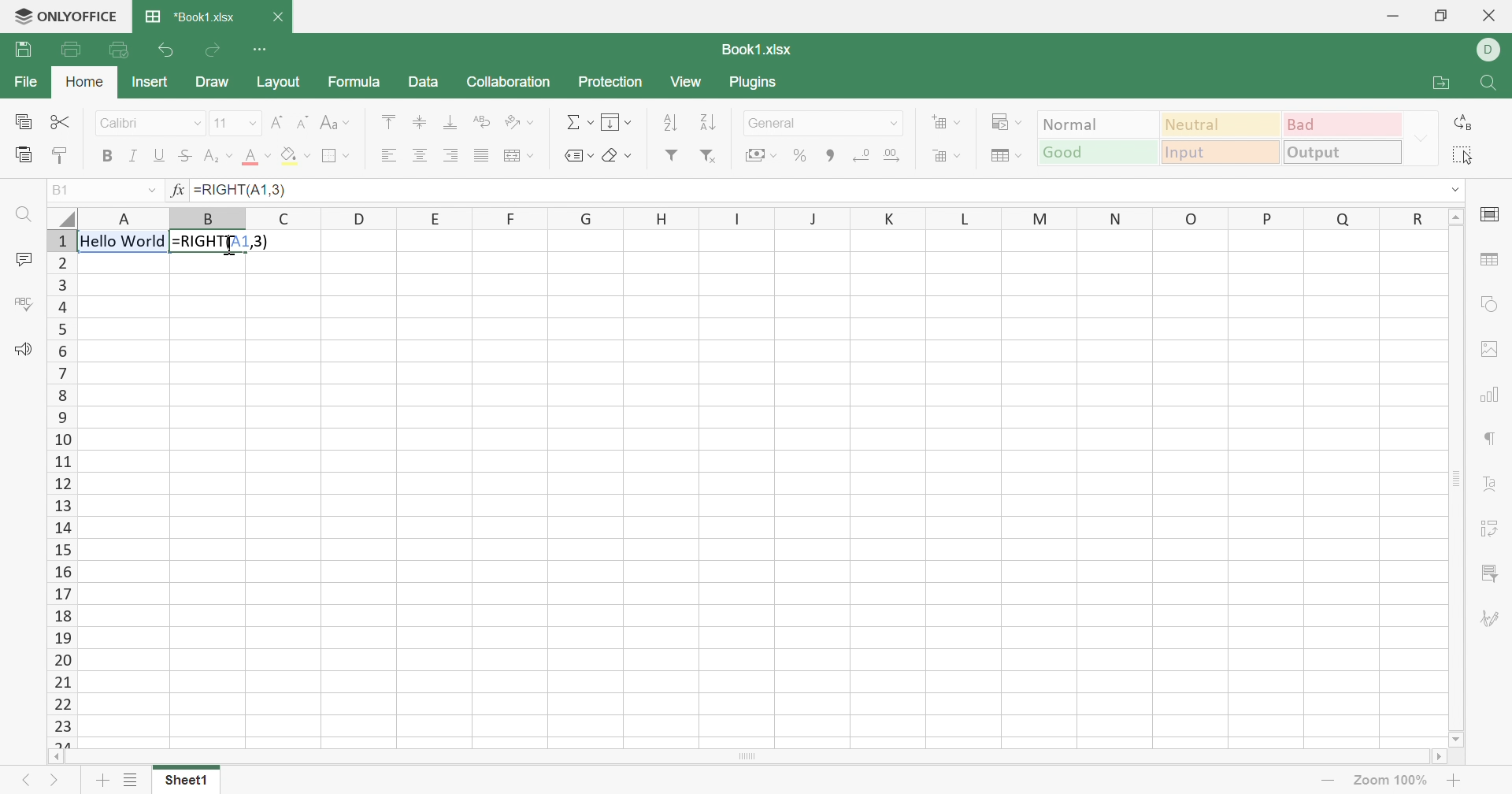  What do you see at coordinates (24, 80) in the screenshot?
I see `File` at bounding box center [24, 80].